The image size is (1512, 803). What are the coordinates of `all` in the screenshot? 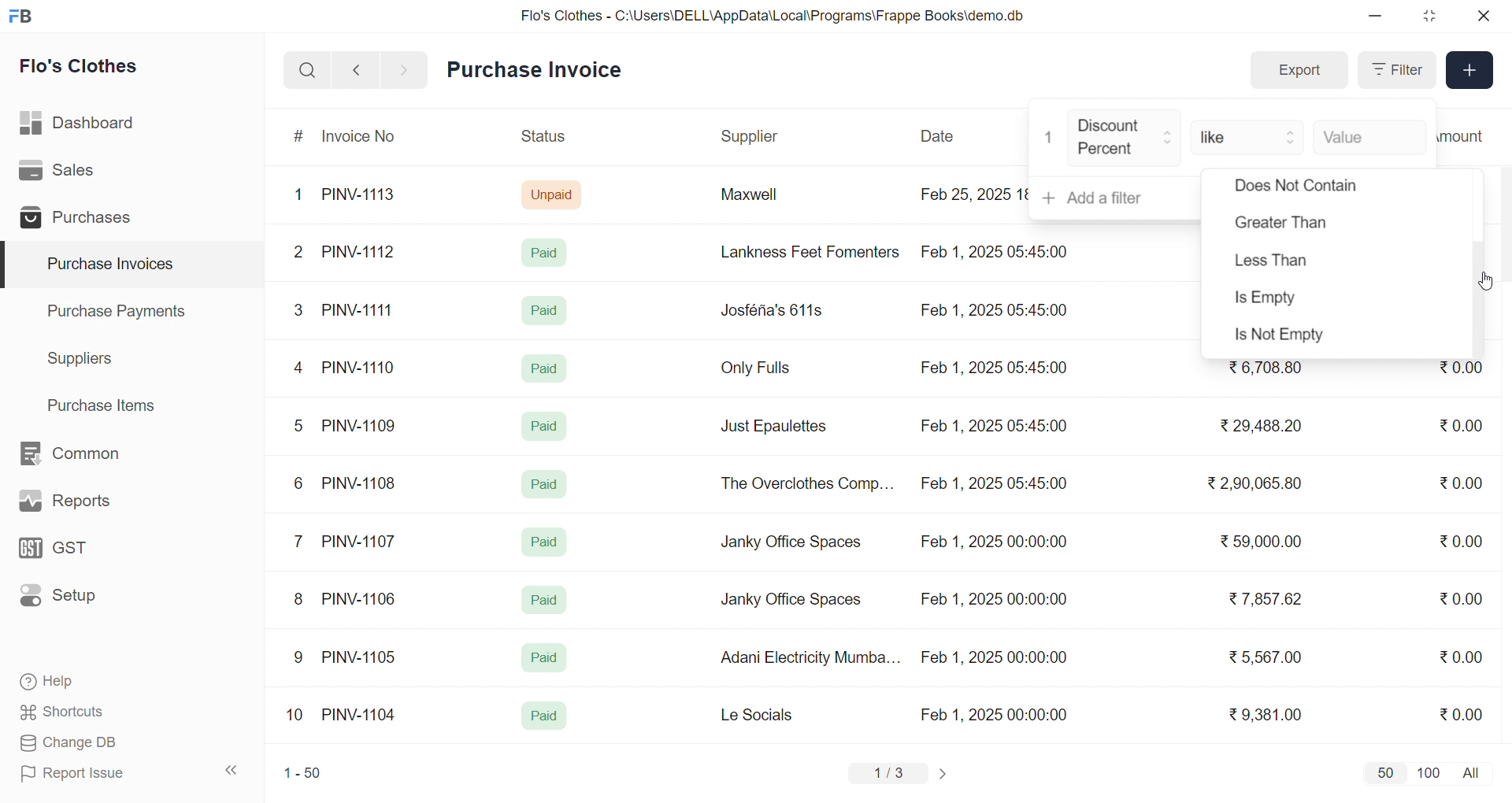 It's located at (1474, 772).